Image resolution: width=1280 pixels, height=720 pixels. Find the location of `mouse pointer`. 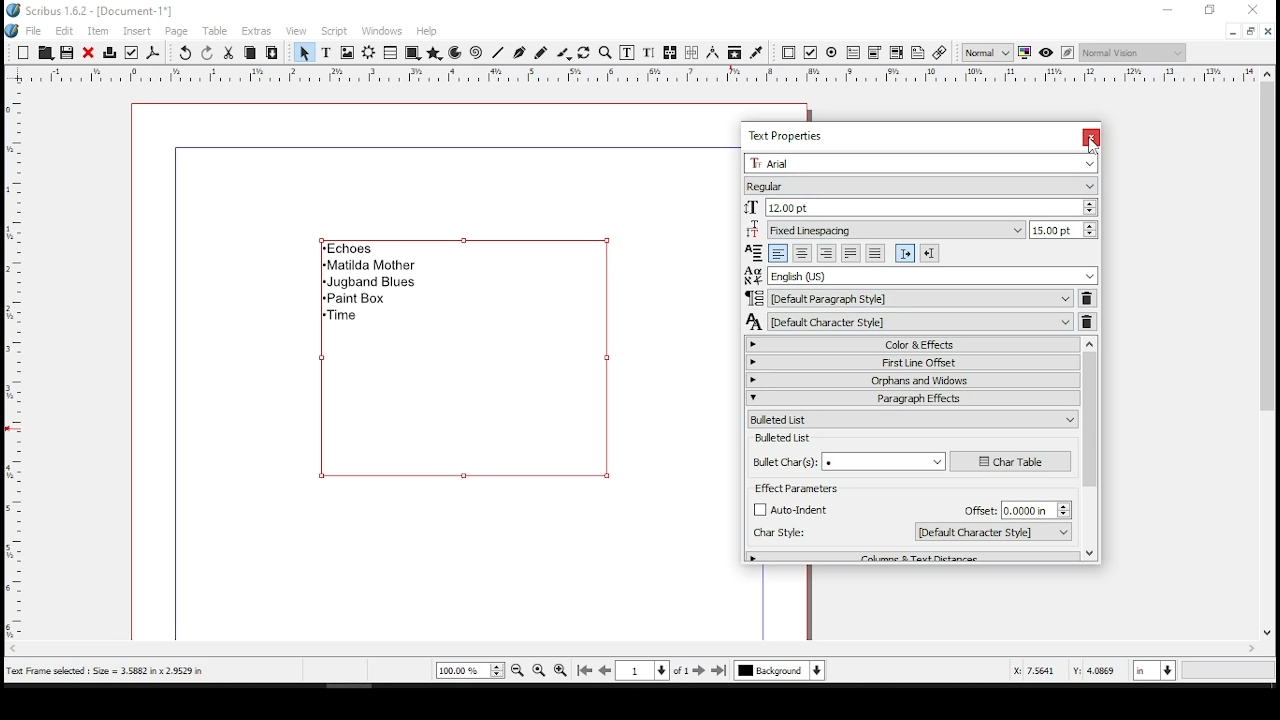

mouse pointer is located at coordinates (1090, 144).